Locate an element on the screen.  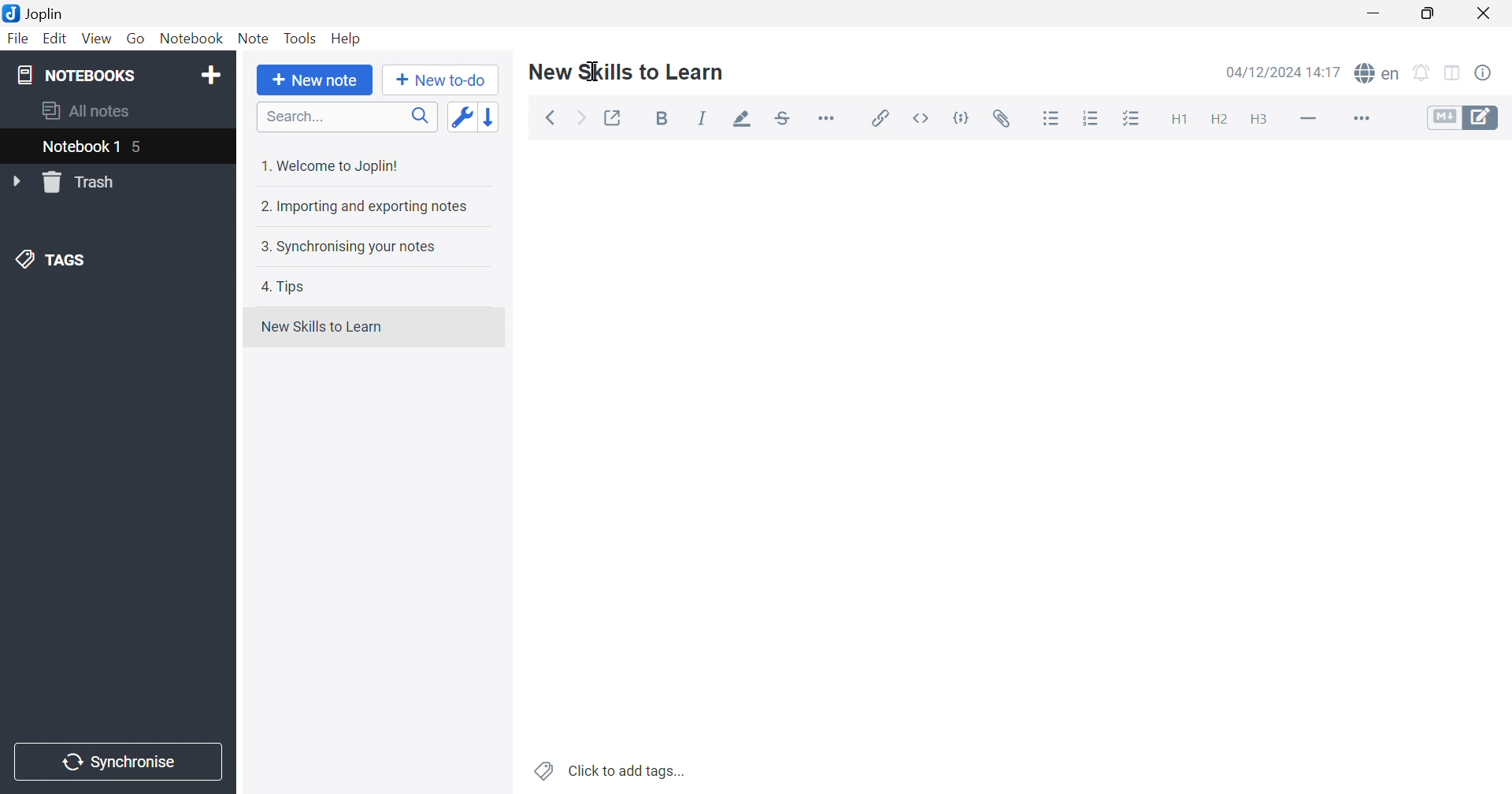
Spell checker is located at coordinates (1376, 72).